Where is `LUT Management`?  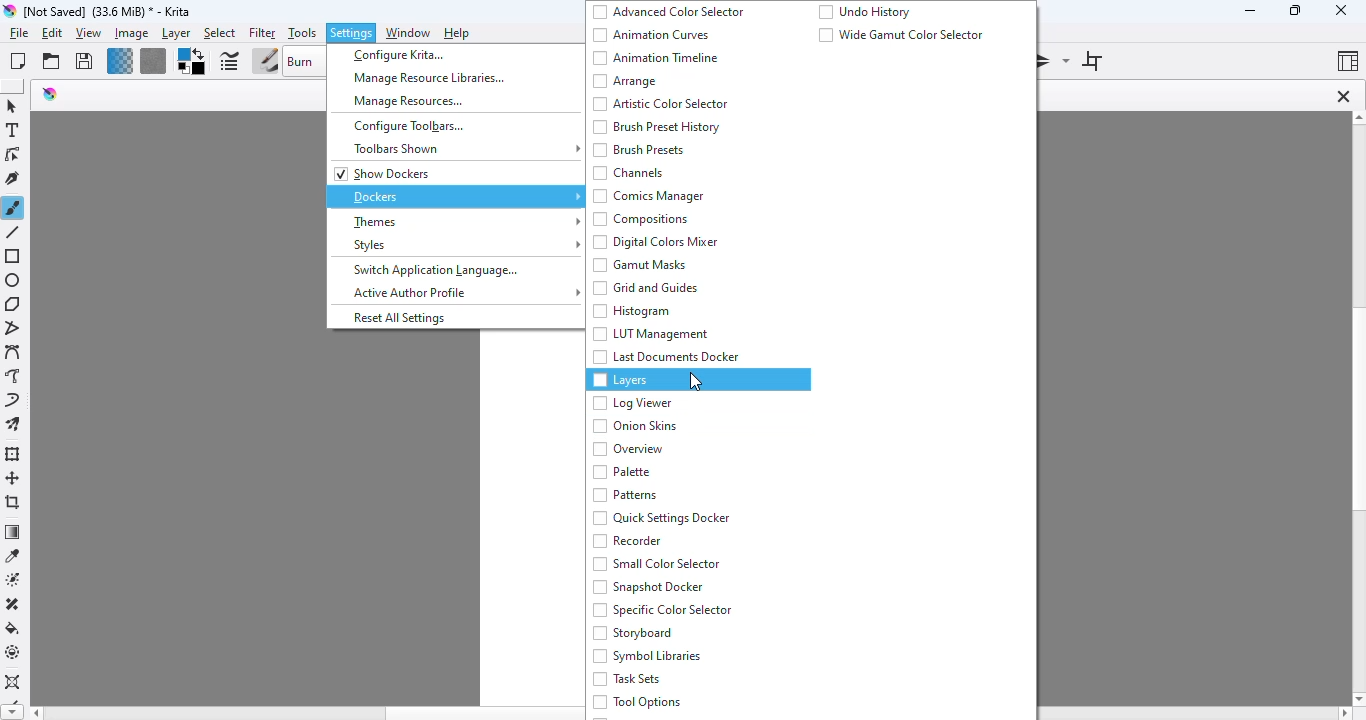 LUT Management is located at coordinates (650, 334).